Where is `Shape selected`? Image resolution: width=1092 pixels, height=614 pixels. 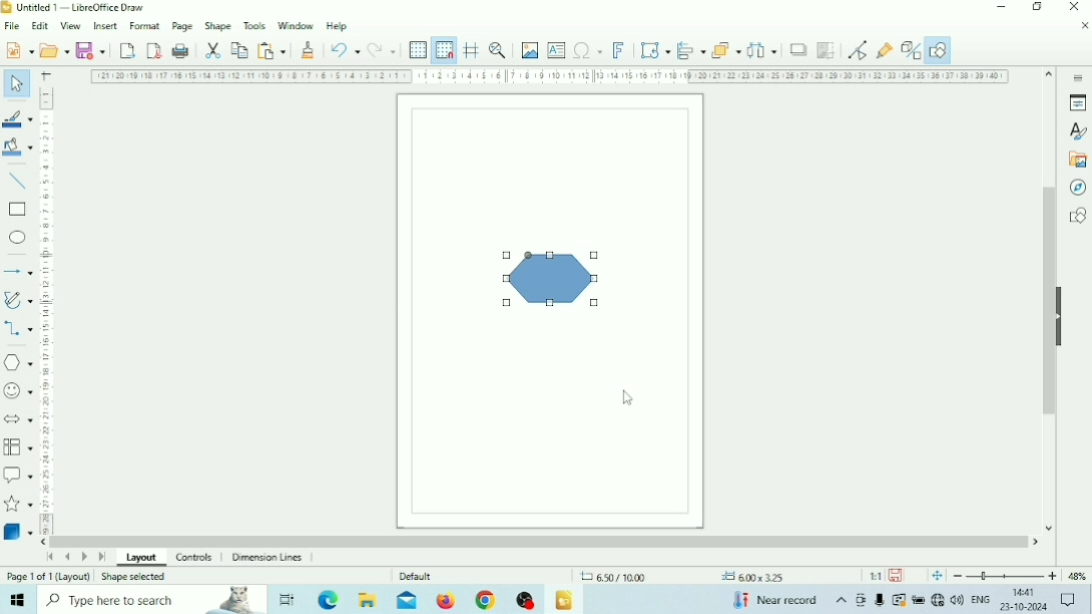 Shape selected is located at coordinates (133, 576).